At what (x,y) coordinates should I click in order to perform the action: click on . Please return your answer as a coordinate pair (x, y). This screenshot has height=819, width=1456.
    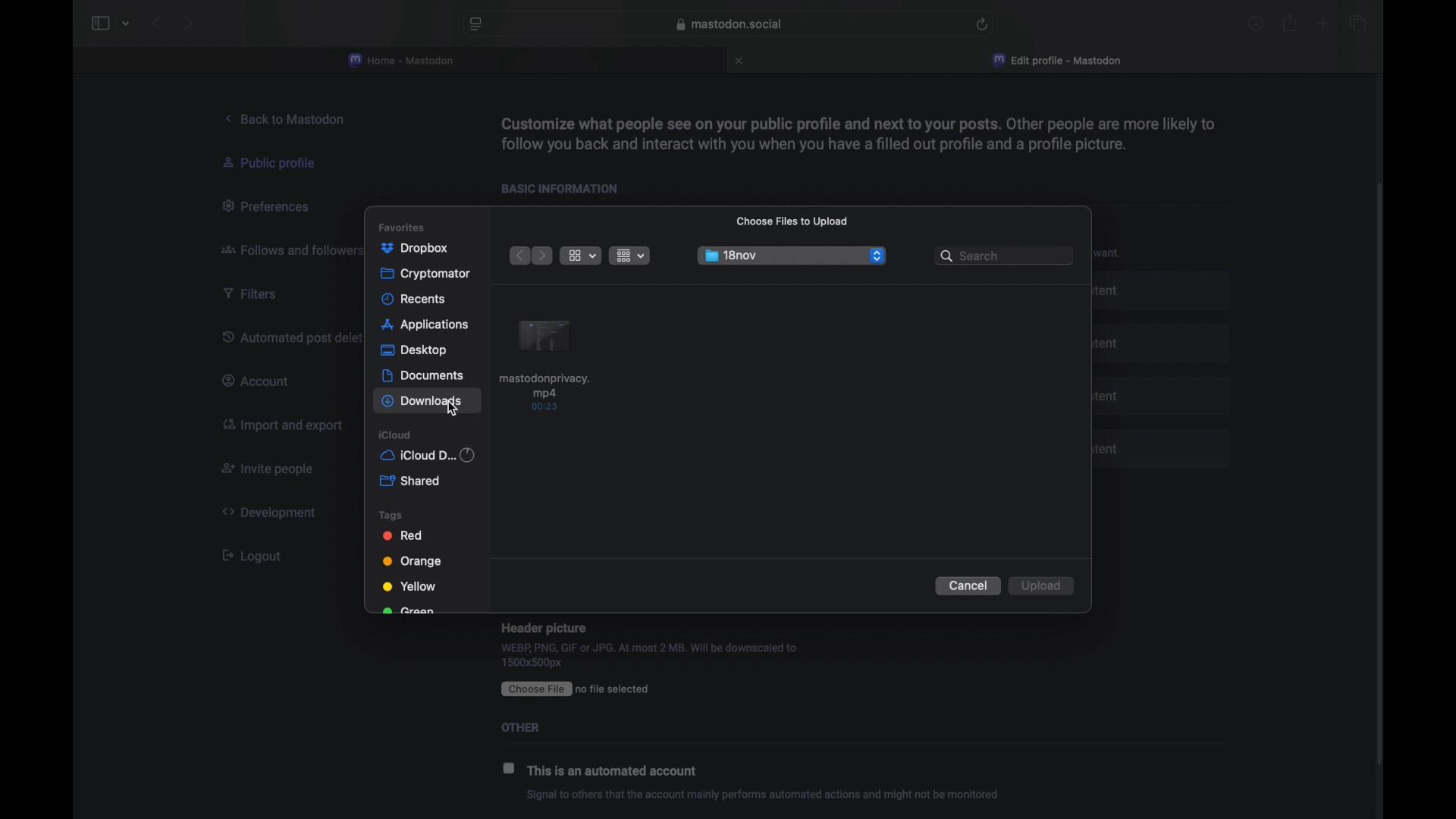
    Looking at the image, I should click on (532, 726).